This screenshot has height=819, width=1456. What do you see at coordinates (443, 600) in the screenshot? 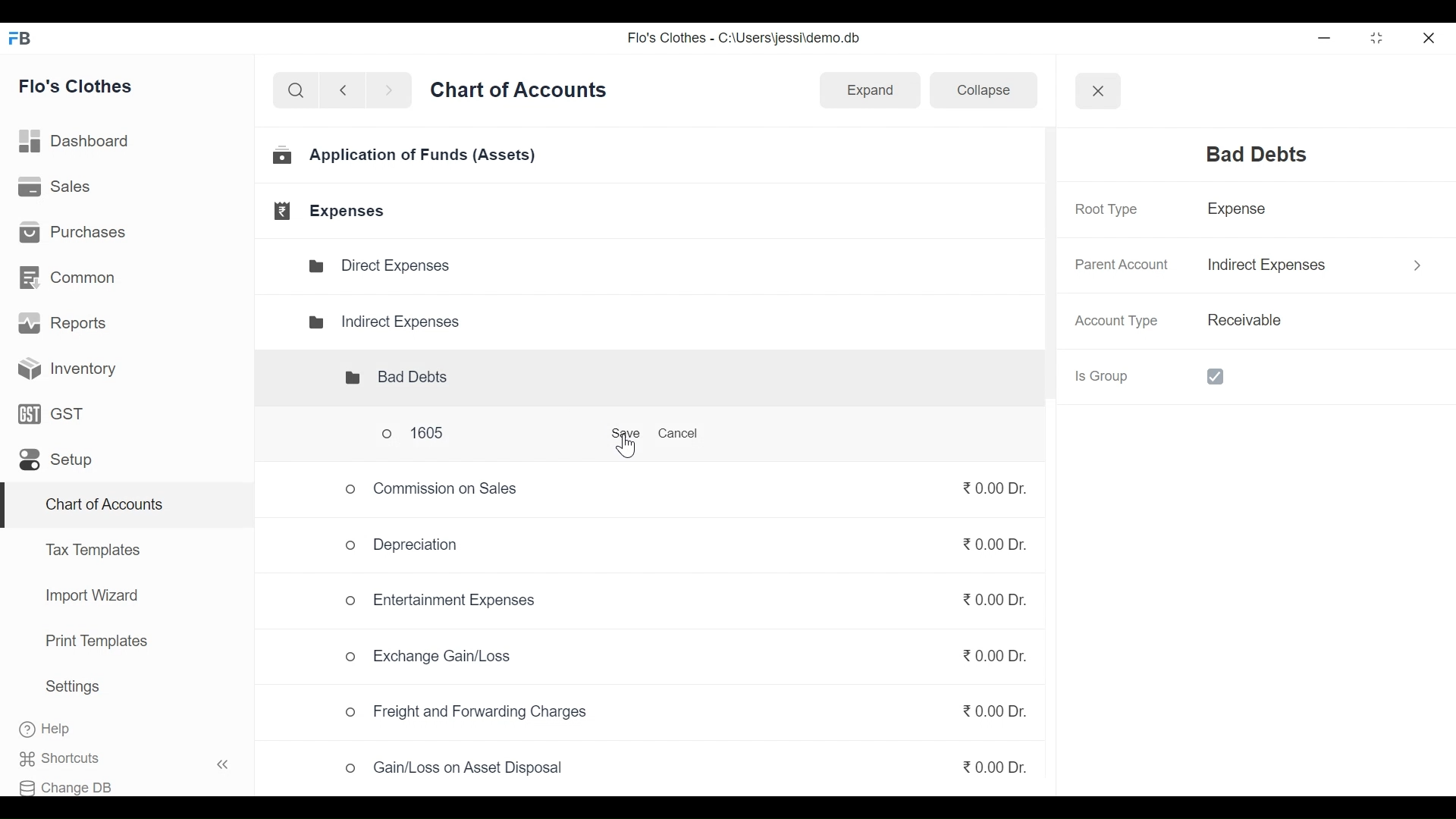
I see `Entertainment Expenses` at bounding box center [443, 600].